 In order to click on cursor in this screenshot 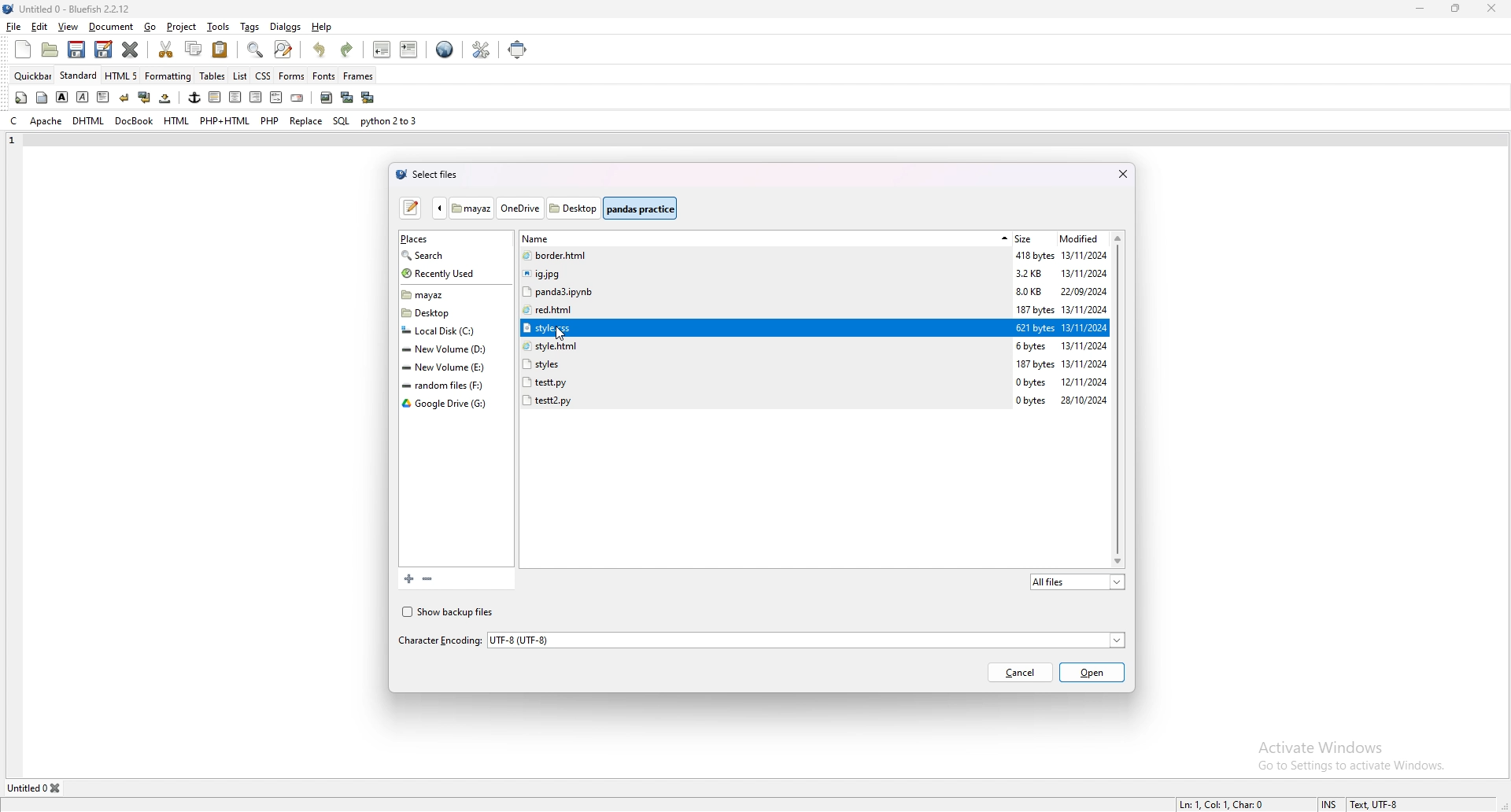, I will do `click(562, 334)`.